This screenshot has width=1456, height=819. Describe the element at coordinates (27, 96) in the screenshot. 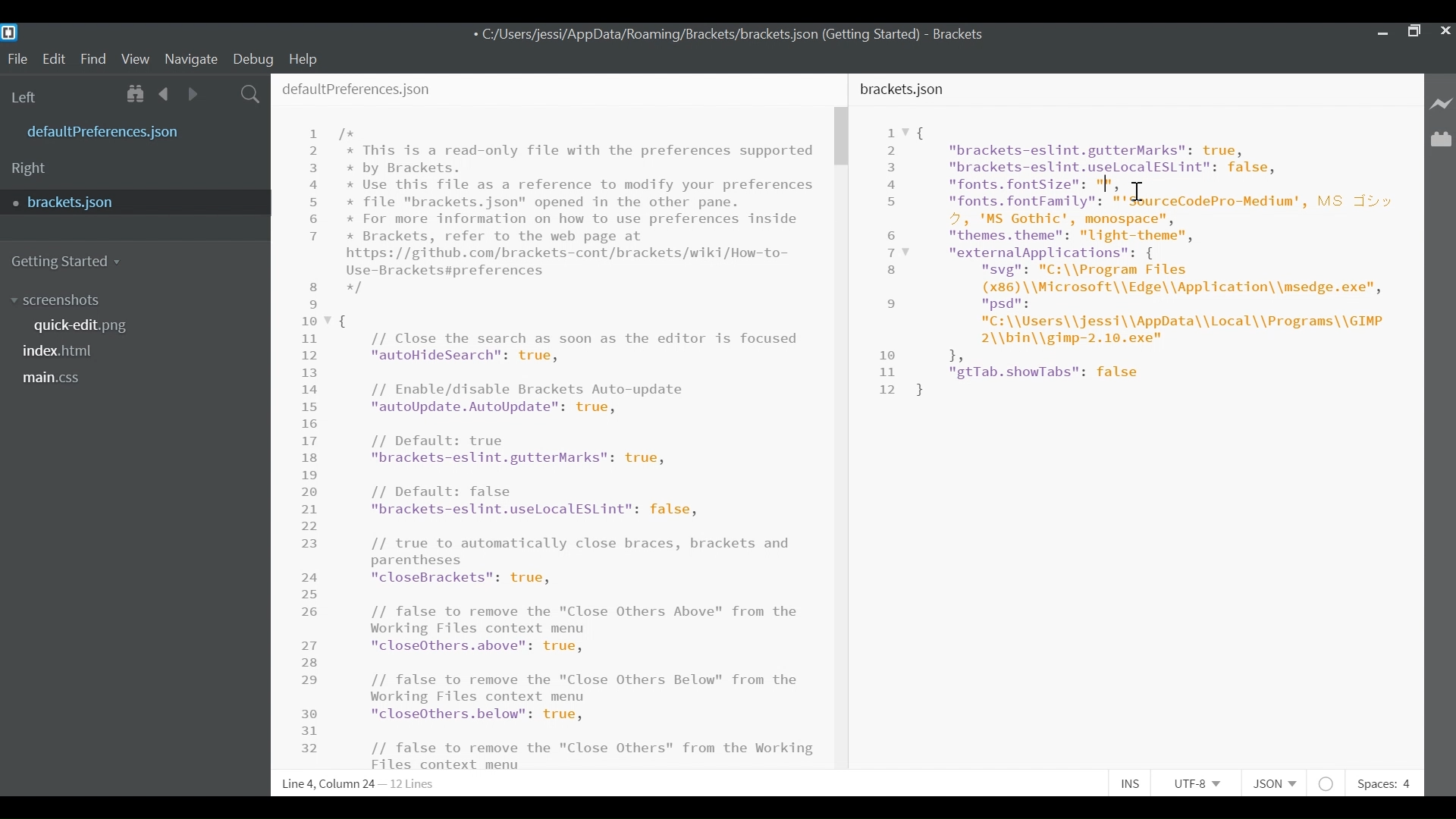

I see `Left` at that location.